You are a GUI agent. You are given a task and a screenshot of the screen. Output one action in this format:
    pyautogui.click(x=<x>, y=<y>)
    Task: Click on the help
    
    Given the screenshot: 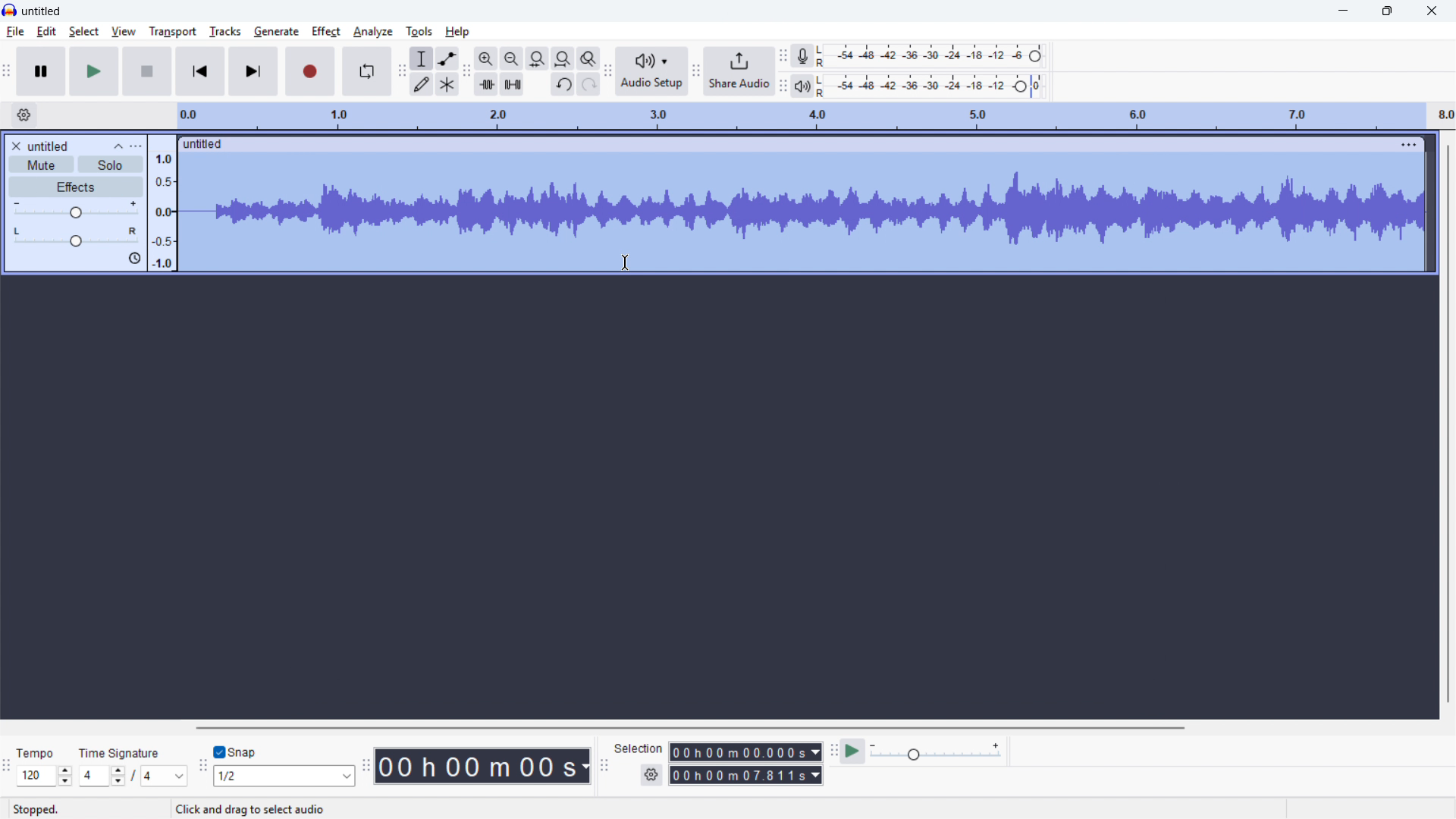 What is the action you would take?
    pyautogui.click(x=458, y=31)
    